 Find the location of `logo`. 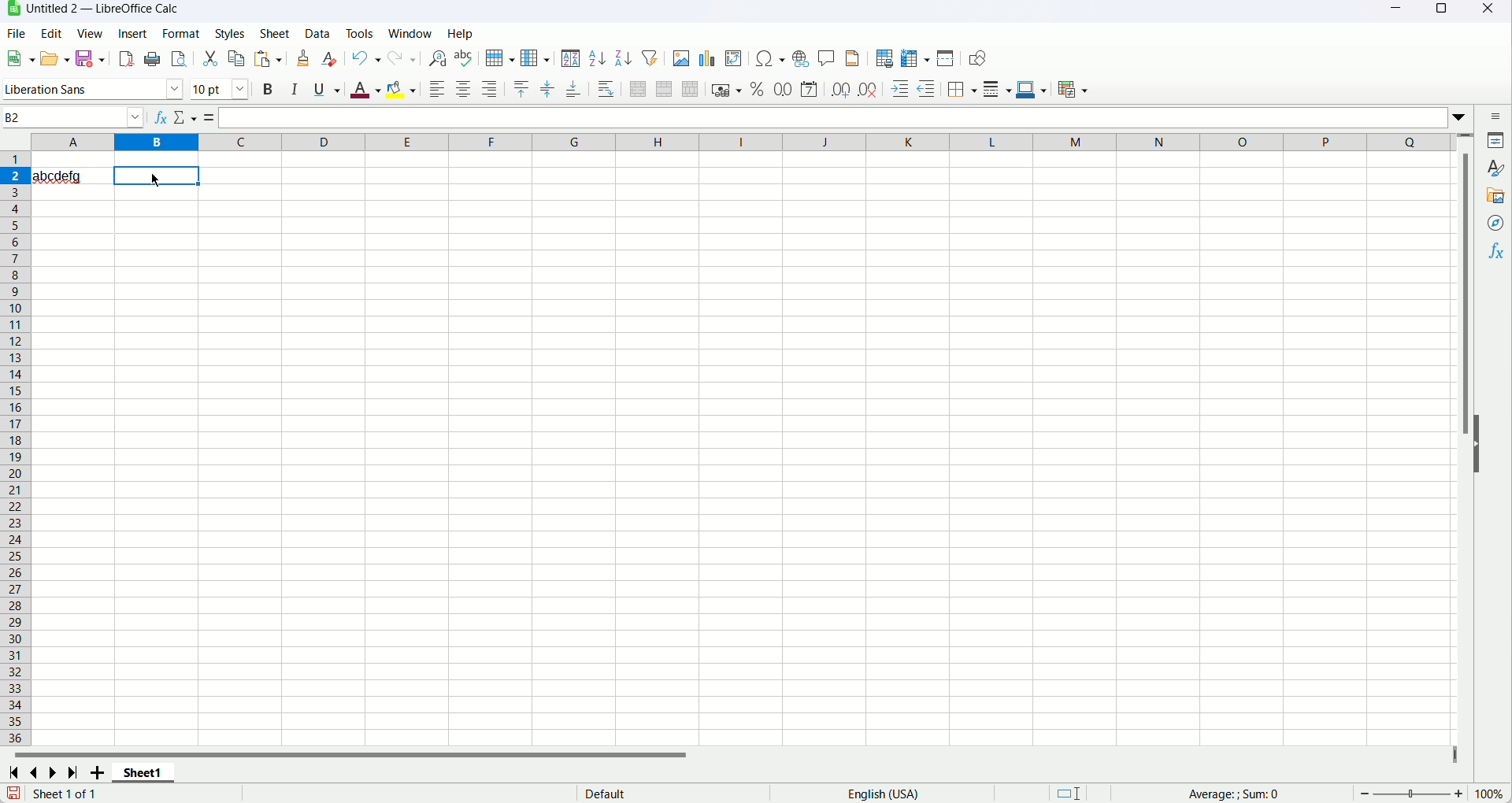

logo is located at coordinates (10, 10).